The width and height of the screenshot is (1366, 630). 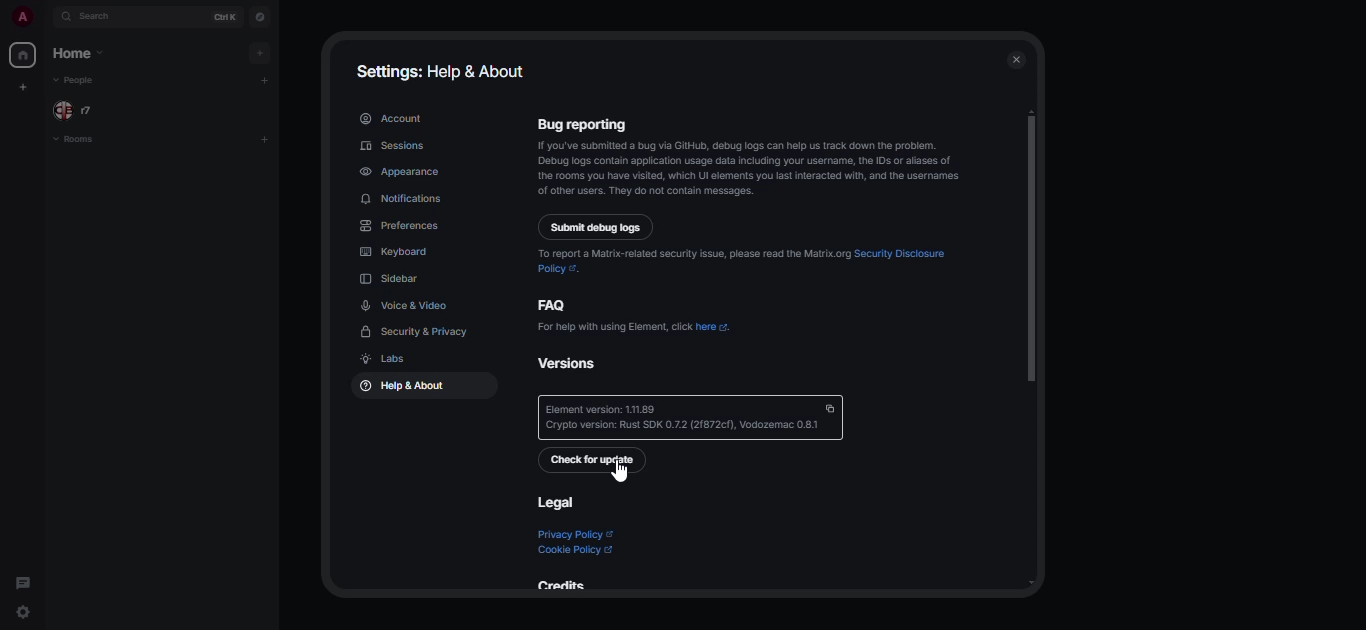 I want to click on add, so click(x=265, y=139).